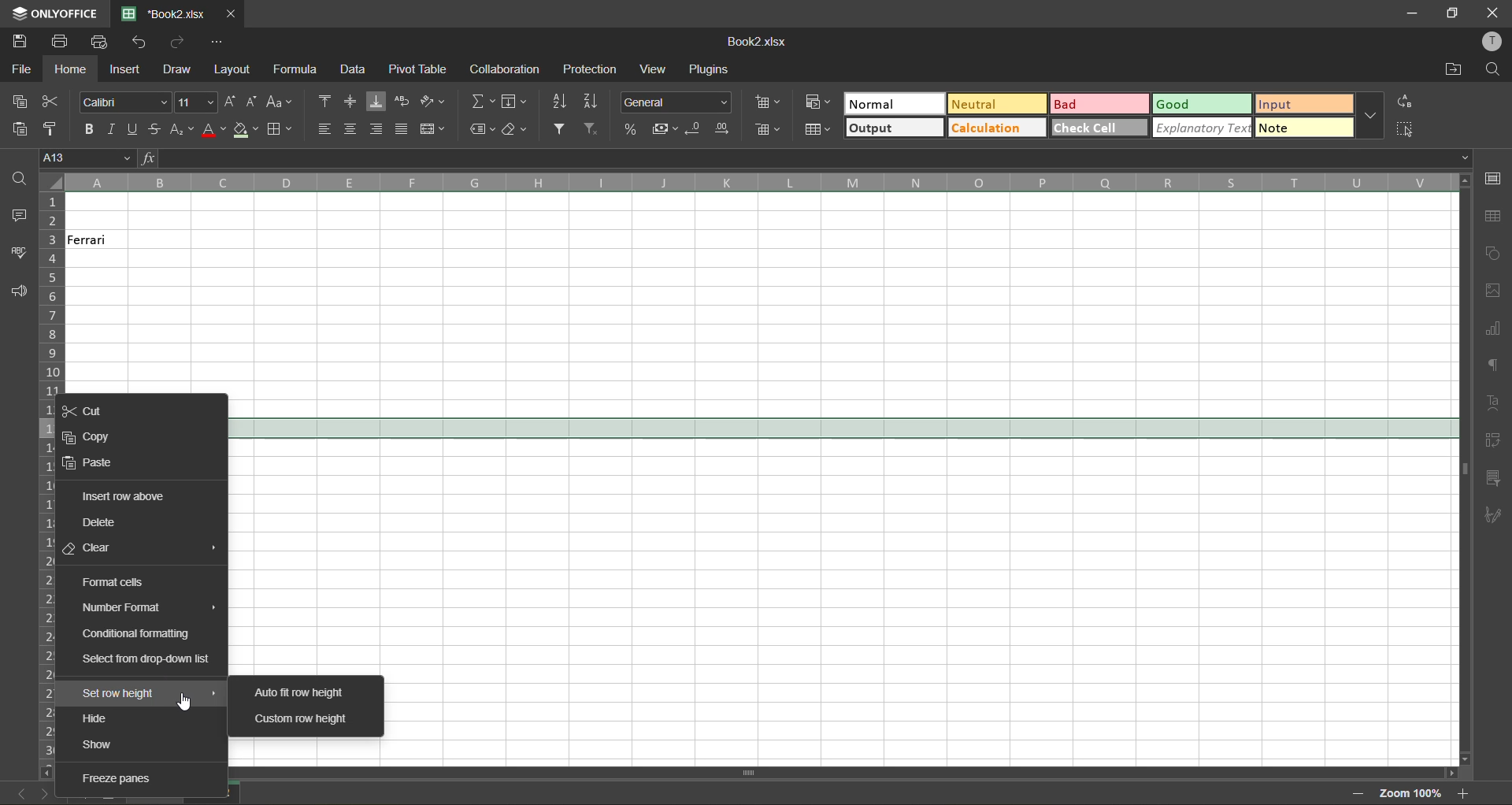  Describe the element at coordinates (297, 69) in the screenshot. I see `formula` at that location.